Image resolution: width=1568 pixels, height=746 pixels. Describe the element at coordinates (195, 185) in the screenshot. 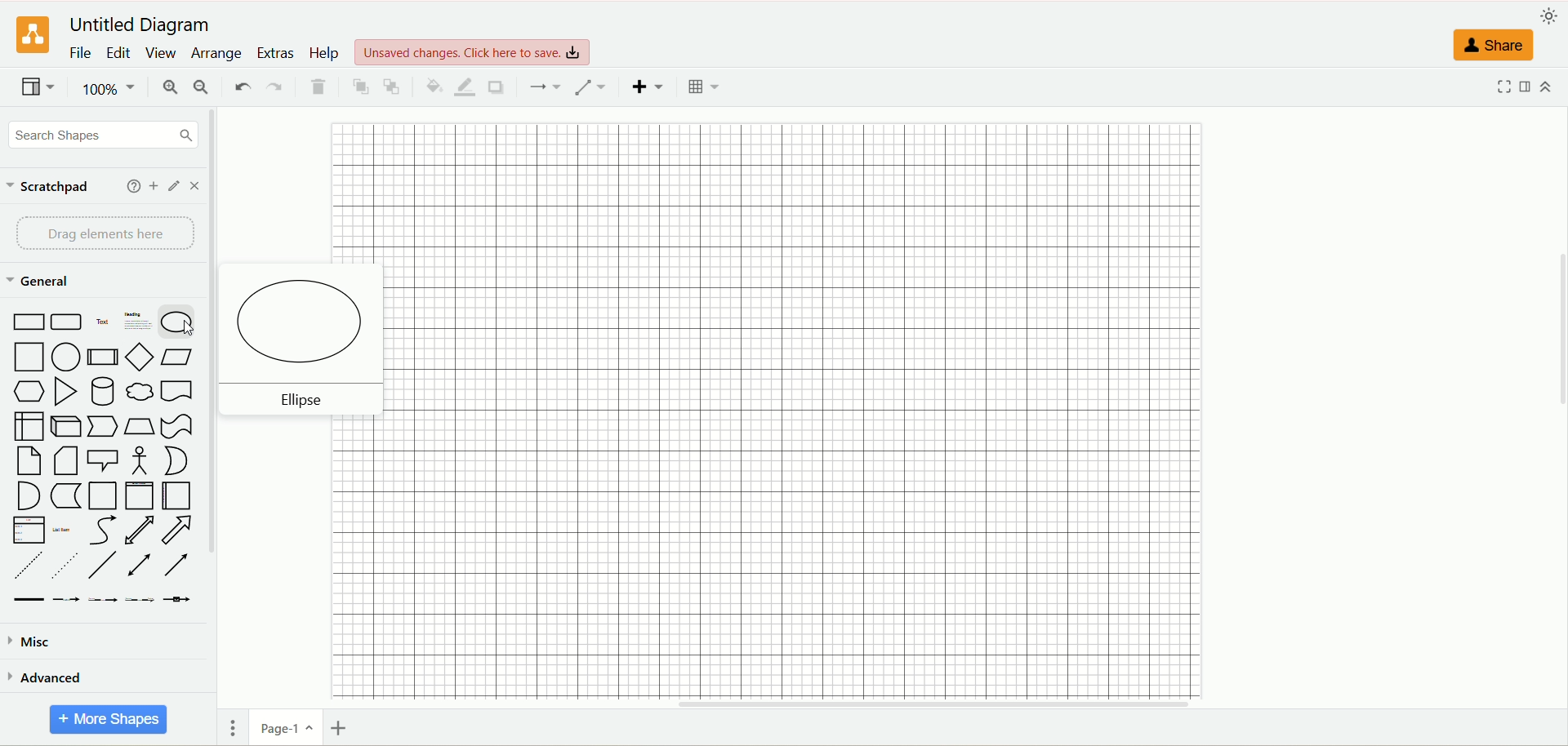

I see `close` at that location.